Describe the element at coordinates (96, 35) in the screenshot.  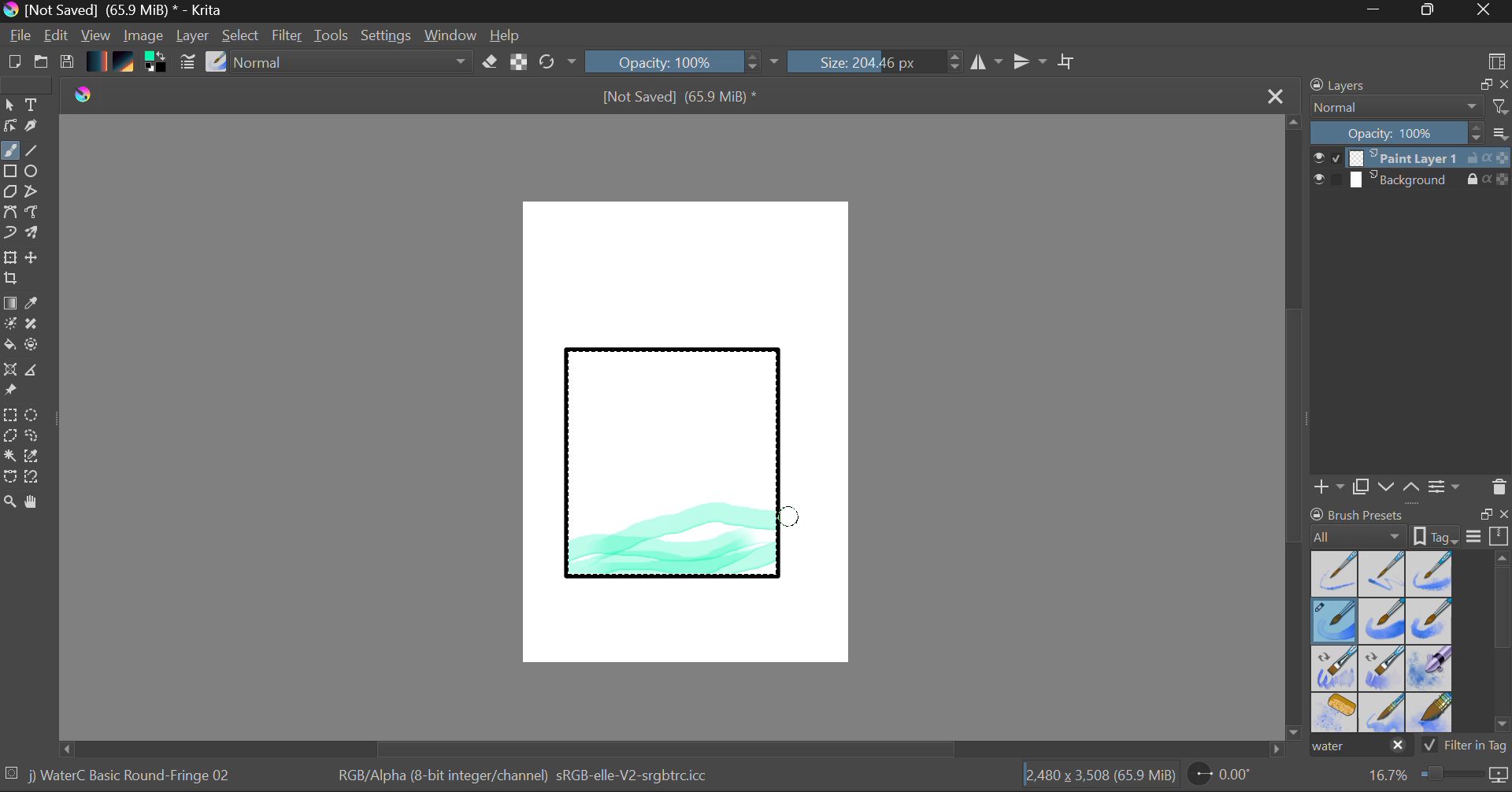
I see `View` at that location.